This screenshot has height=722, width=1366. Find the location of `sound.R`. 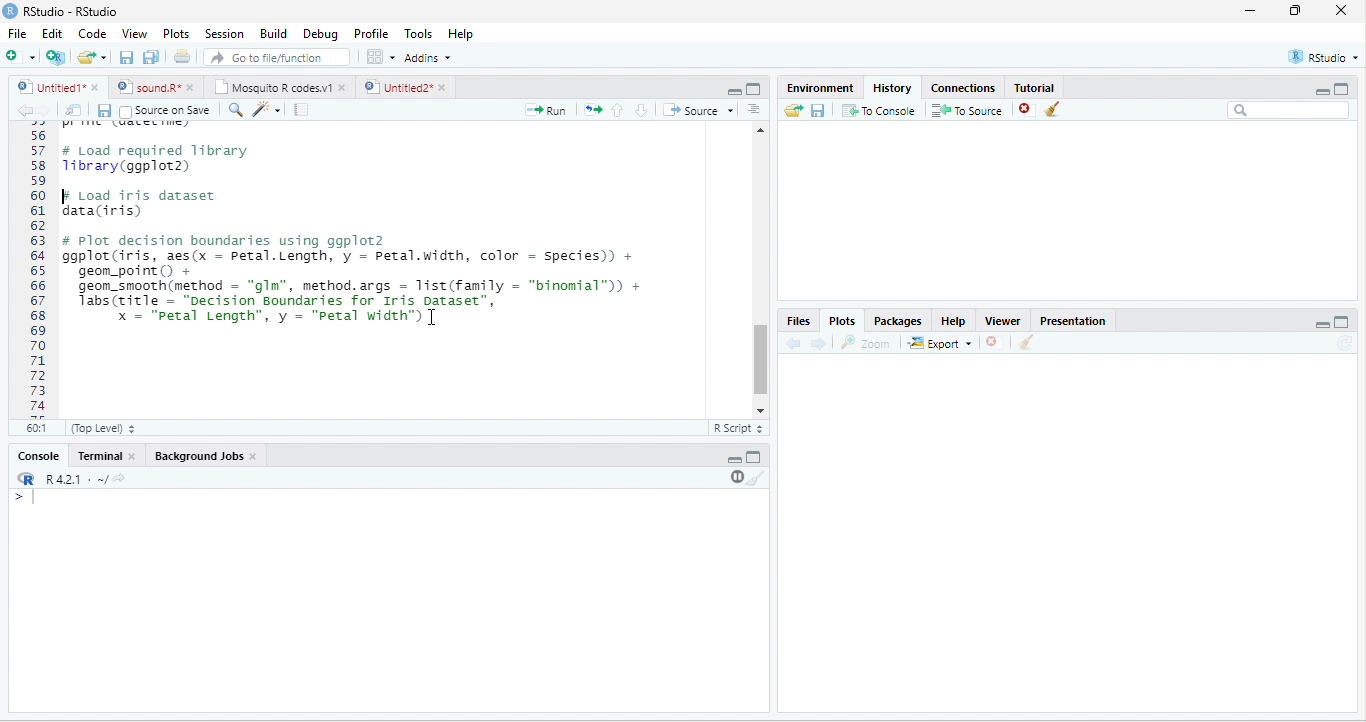

sound.R is located at coordinates (148, 87).